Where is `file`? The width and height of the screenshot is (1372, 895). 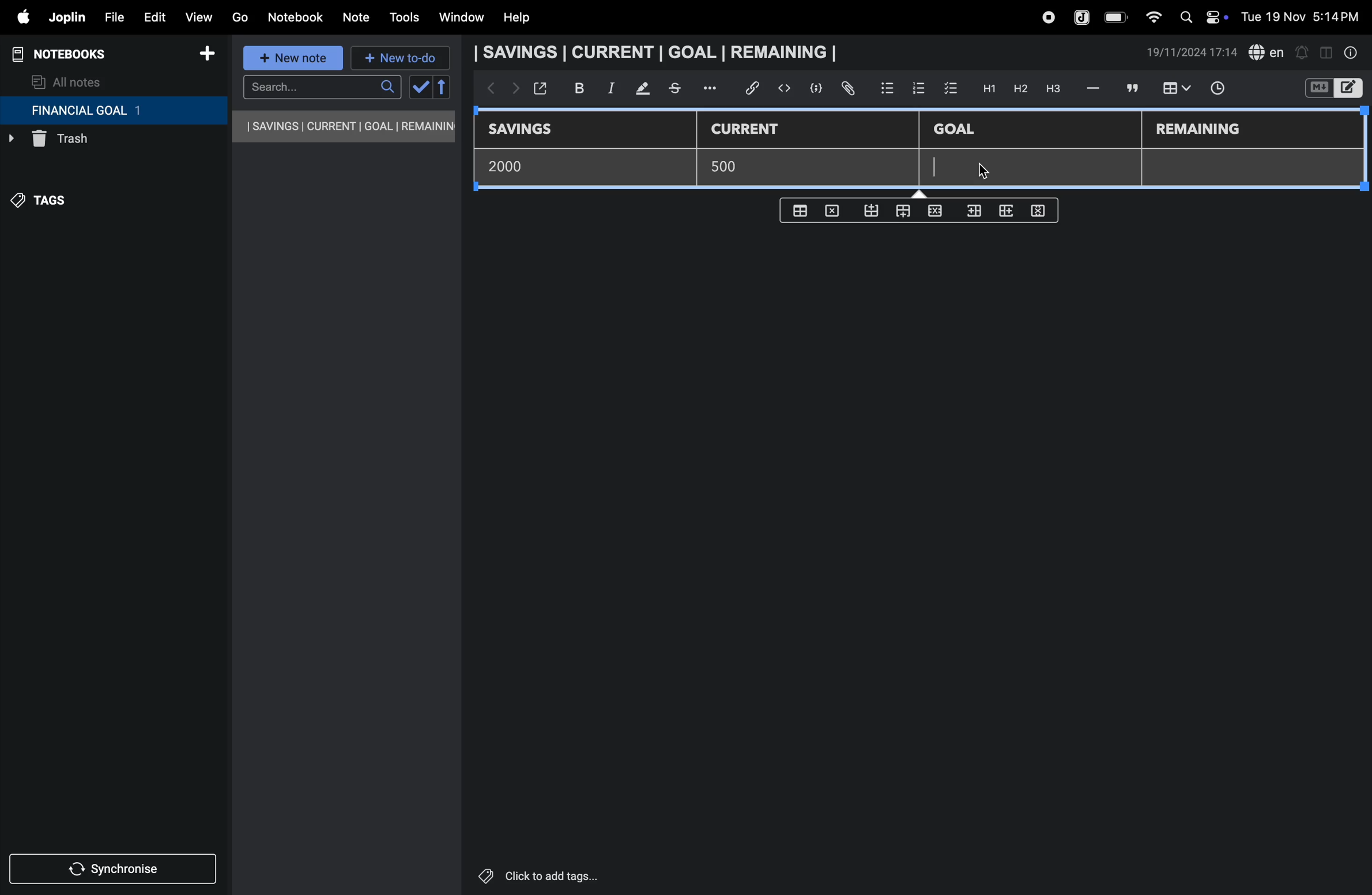 file is located at coordinates (110, 16).